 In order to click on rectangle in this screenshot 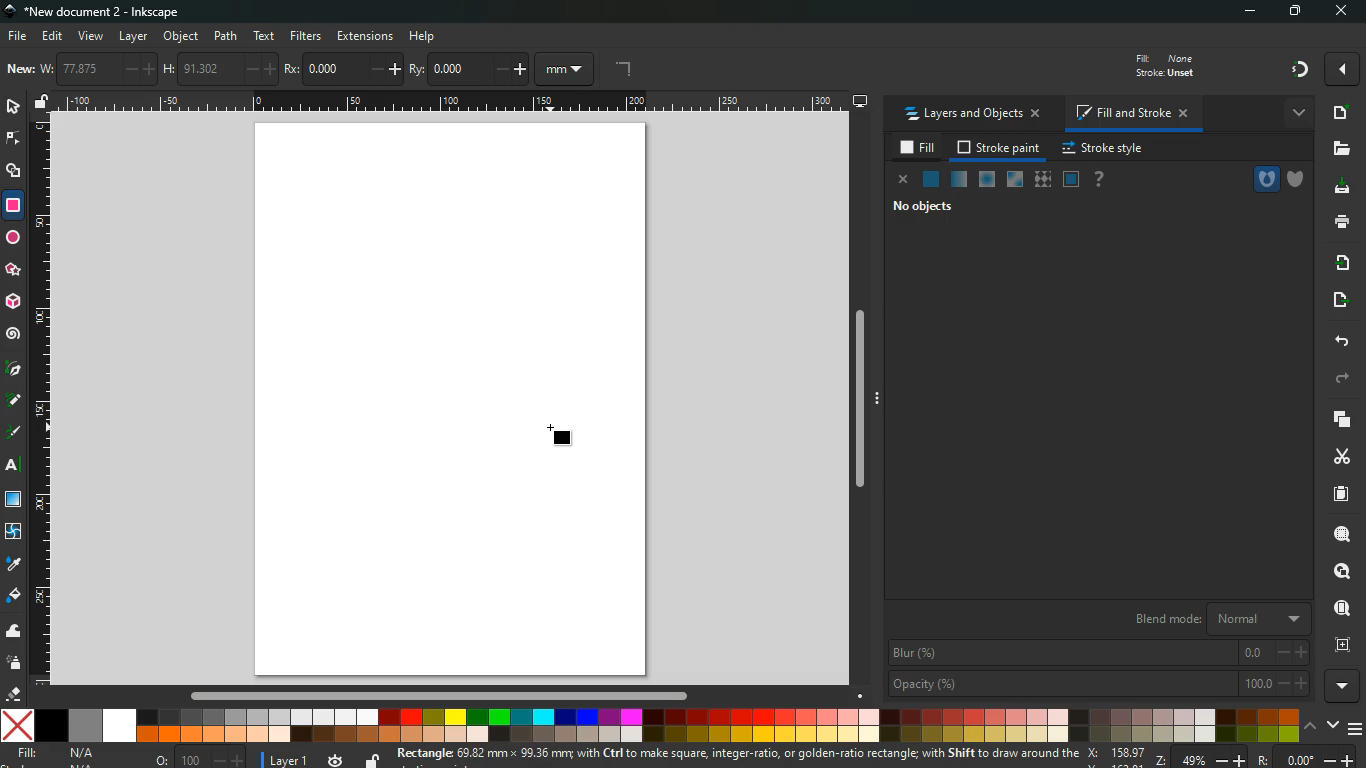, I will do `click(562, 441)`.